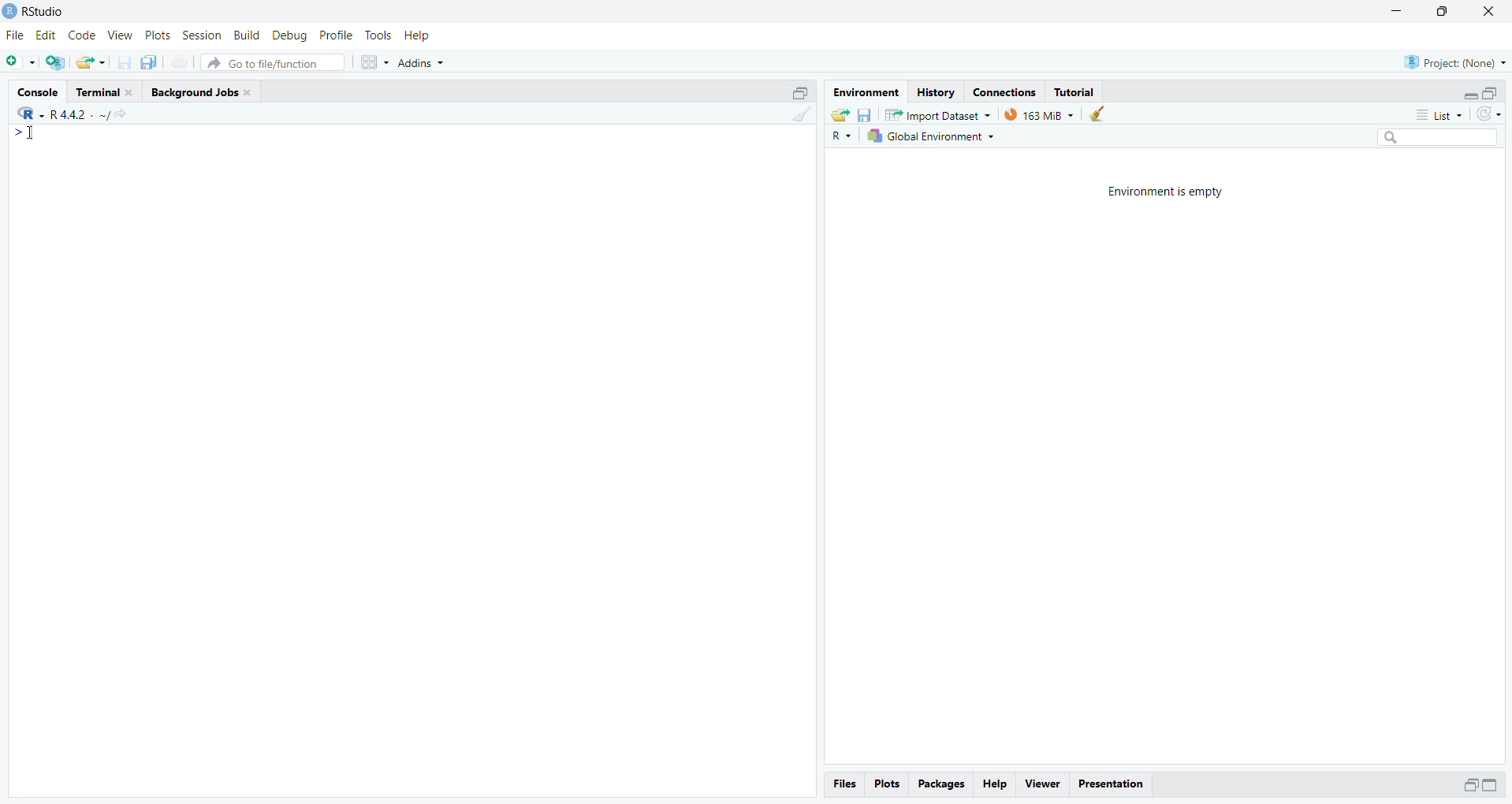 Image resolution: width=1512 pixels, height=804 pixels. I want to click on file, so click(17, 35).